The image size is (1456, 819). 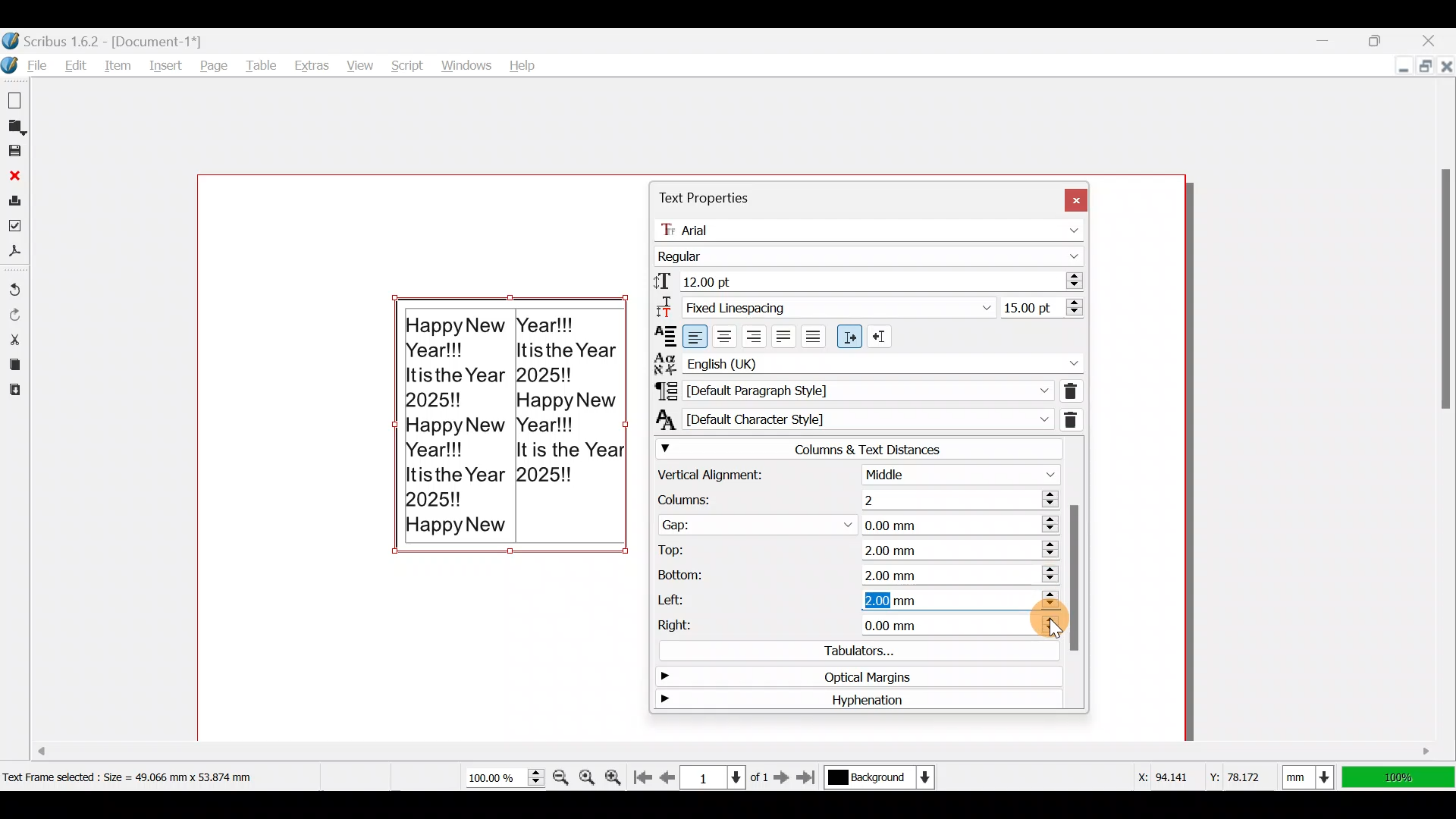 What do you see at coordinates (1312, 774) in the screenshot?
I see `Select current units` at bounding box center [1312, 774].